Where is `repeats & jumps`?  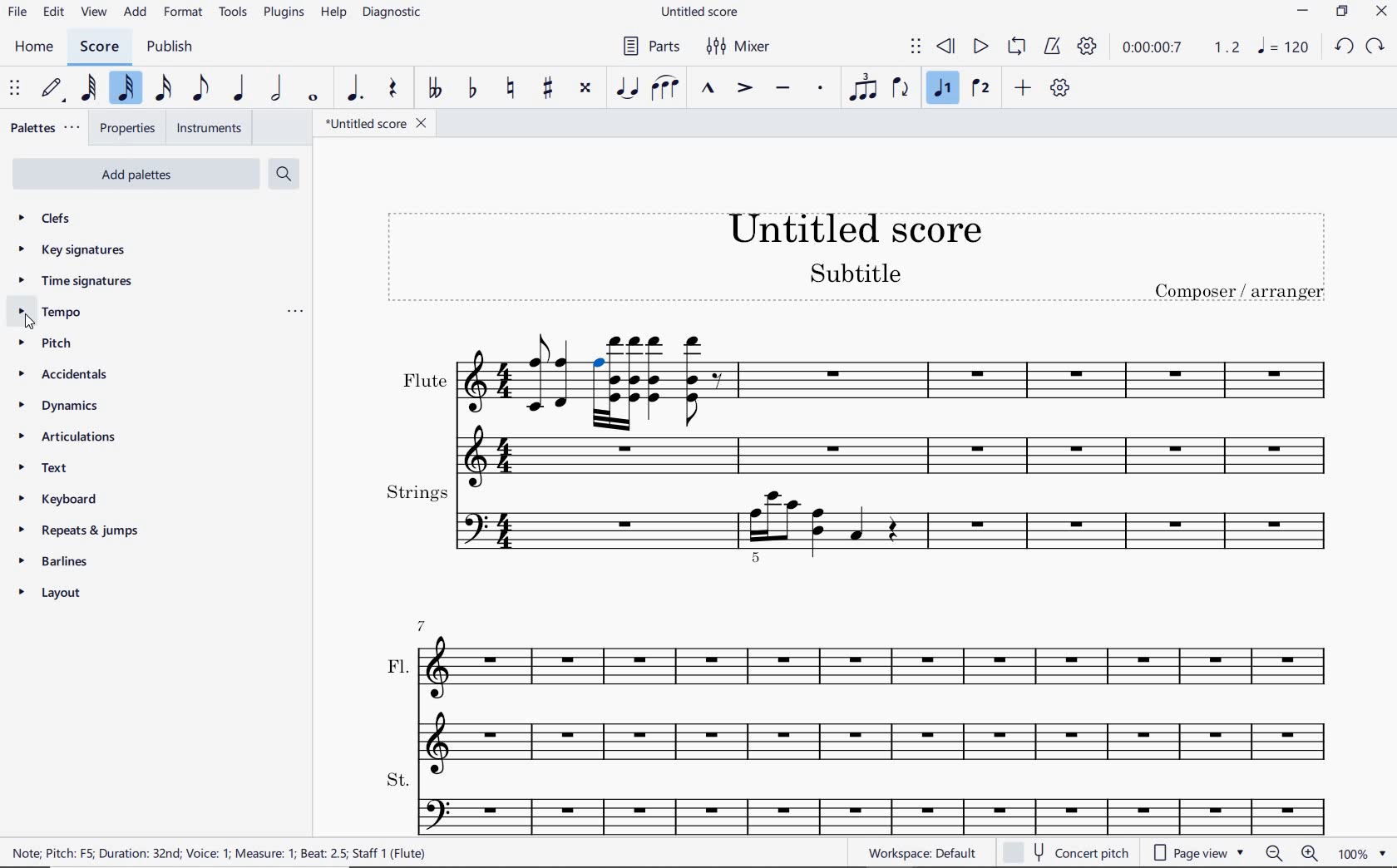
repeats & jumps is located at coordinates (81, 530).